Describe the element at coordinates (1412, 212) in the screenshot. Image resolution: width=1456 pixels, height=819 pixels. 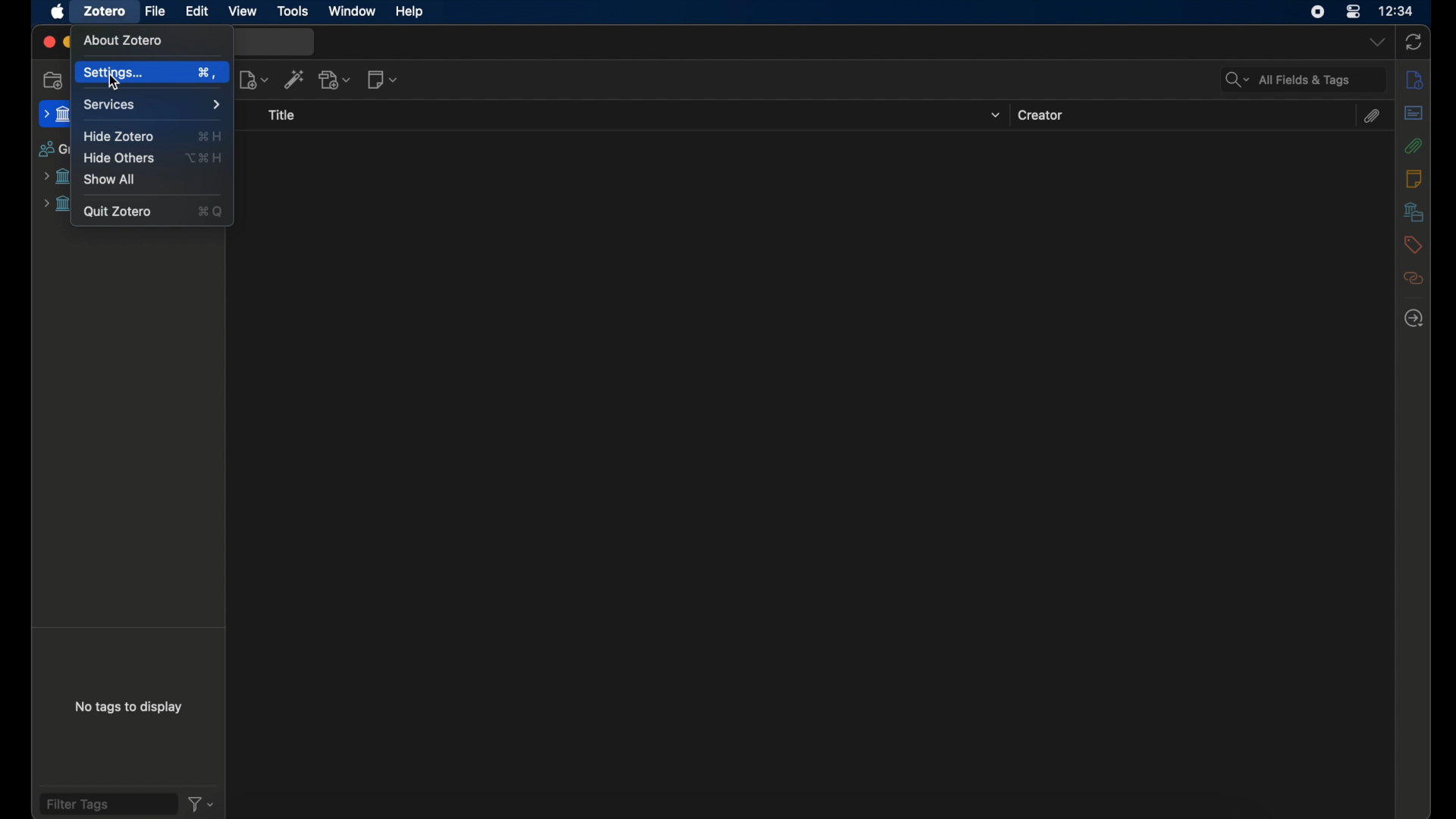
I see `libraries and collections` at that location.